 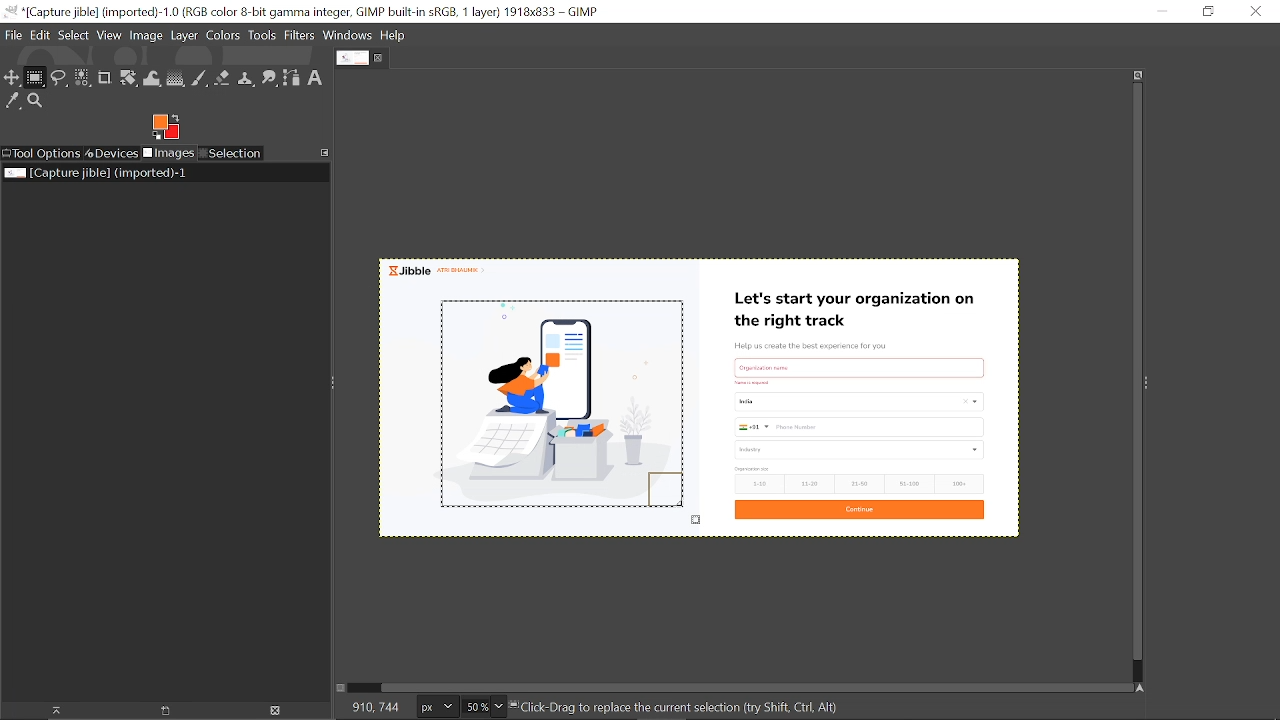 What do you see at coordinates (690, 514) in the screenshot?
I see `Cursor here` at bounding box center [690, 514].